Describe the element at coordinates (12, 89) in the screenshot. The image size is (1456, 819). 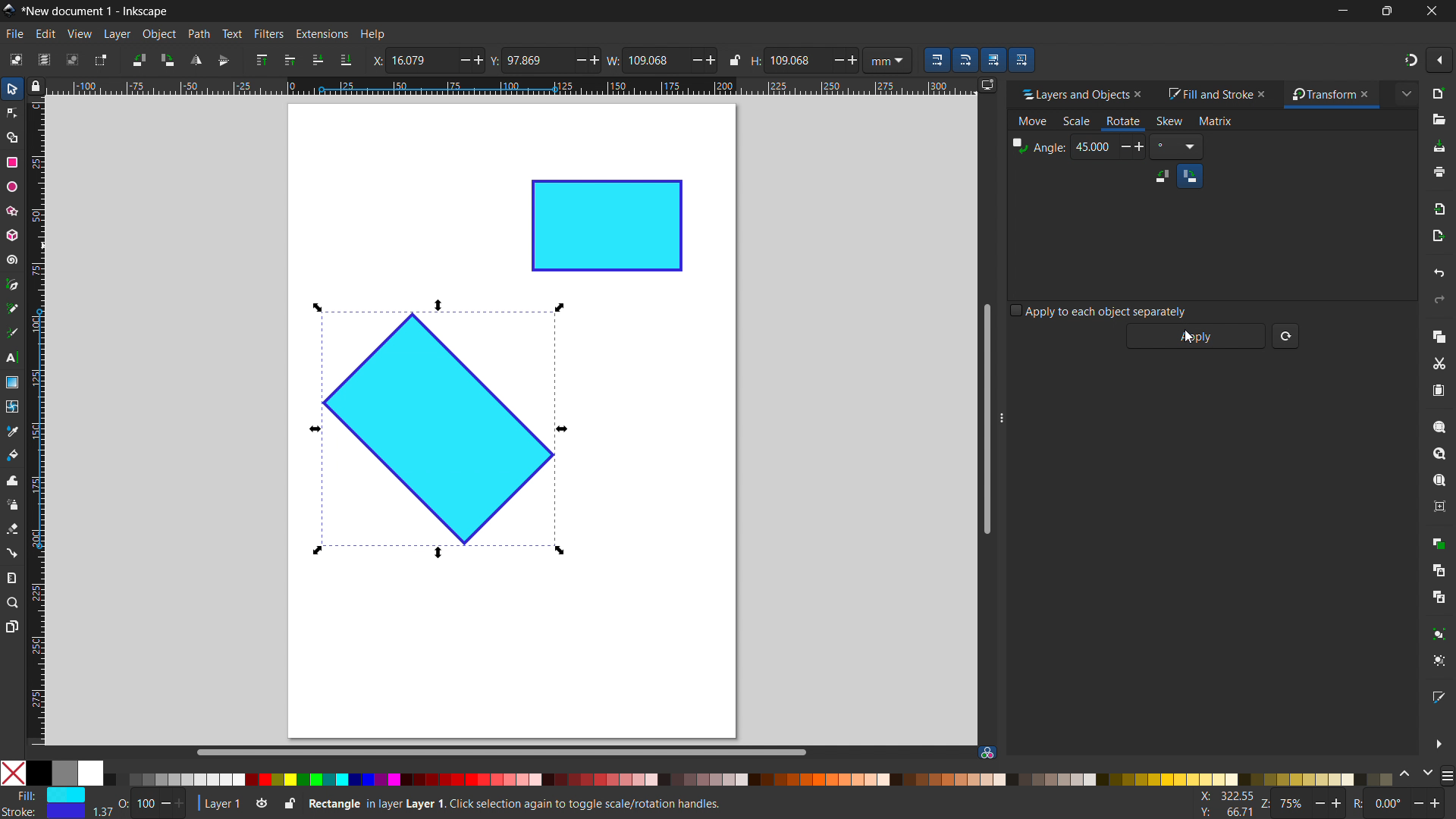
I see `selector tool` at that location.